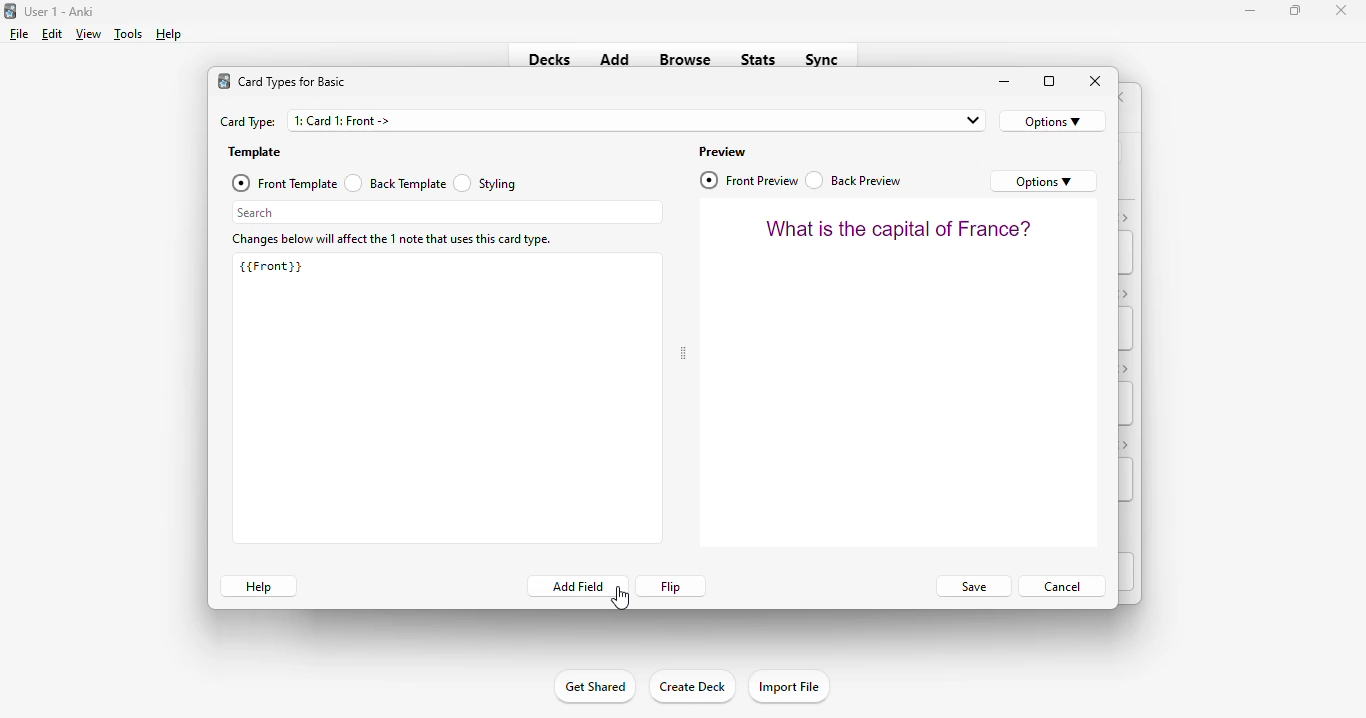  What do you see at coordinates (1096, 81) in the screenshot?
I see `close` at bounding box center [1096, 81].